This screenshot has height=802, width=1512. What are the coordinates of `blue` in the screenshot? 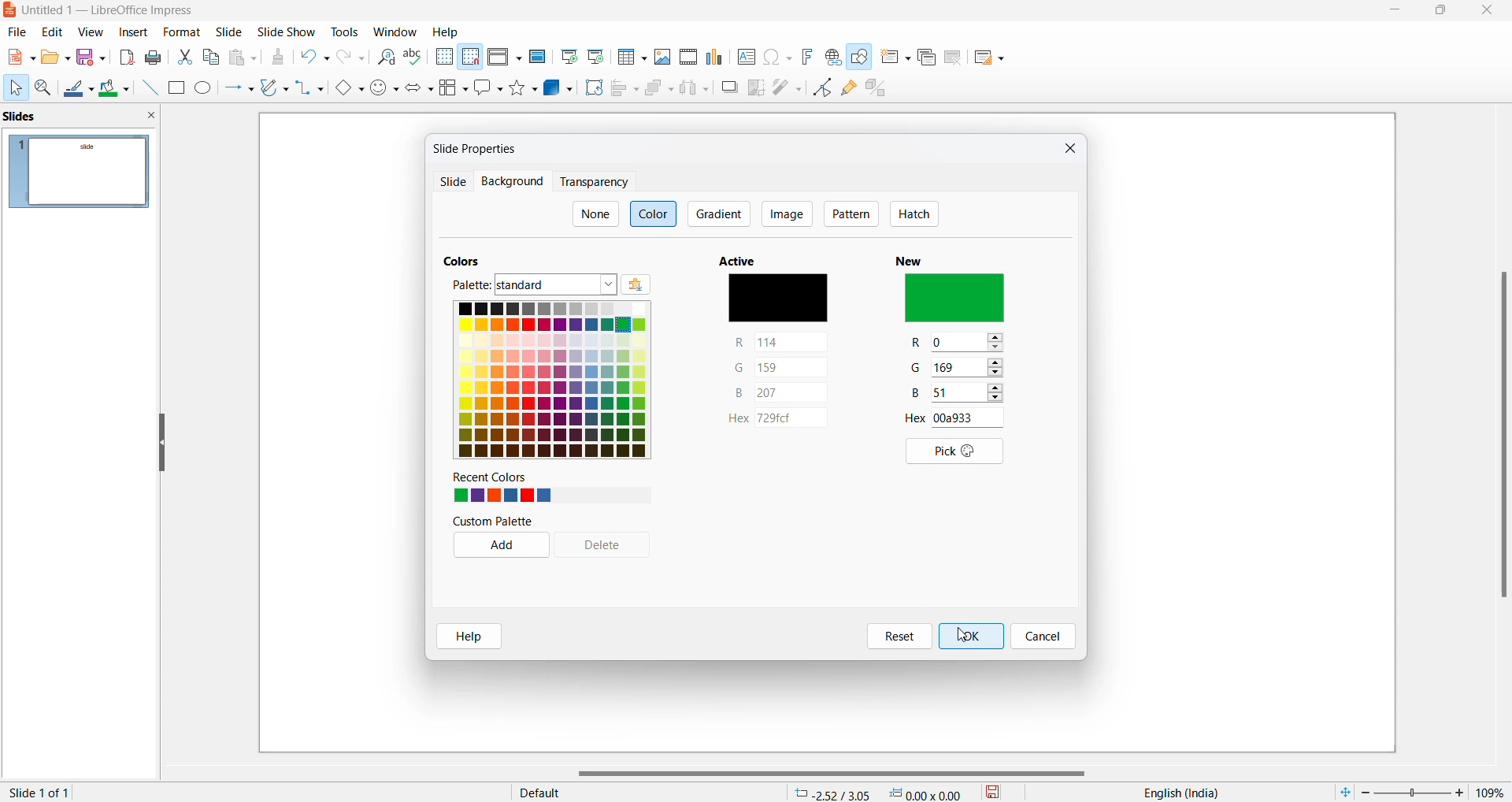 It's located at (778, 393).